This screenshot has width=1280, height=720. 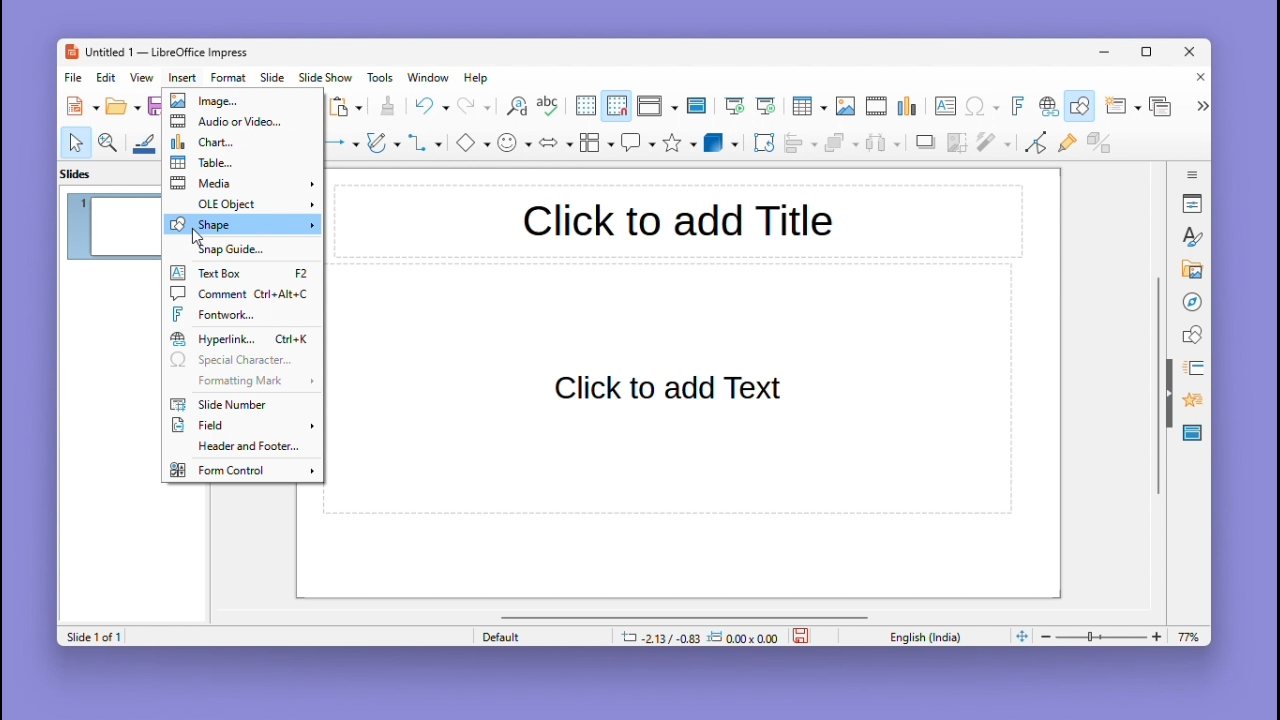 I want to click on Table, so click(x=243, y=163).